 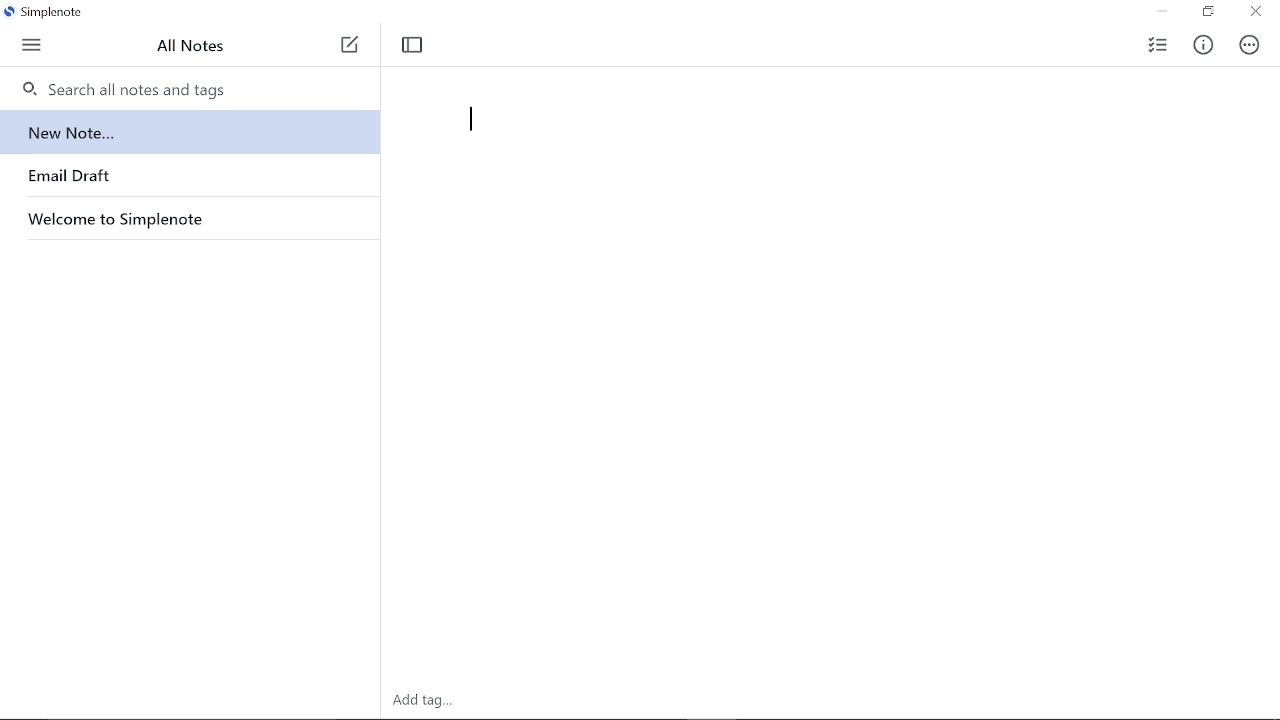 I want to click on Restore down, so click(x=1208, y=11).